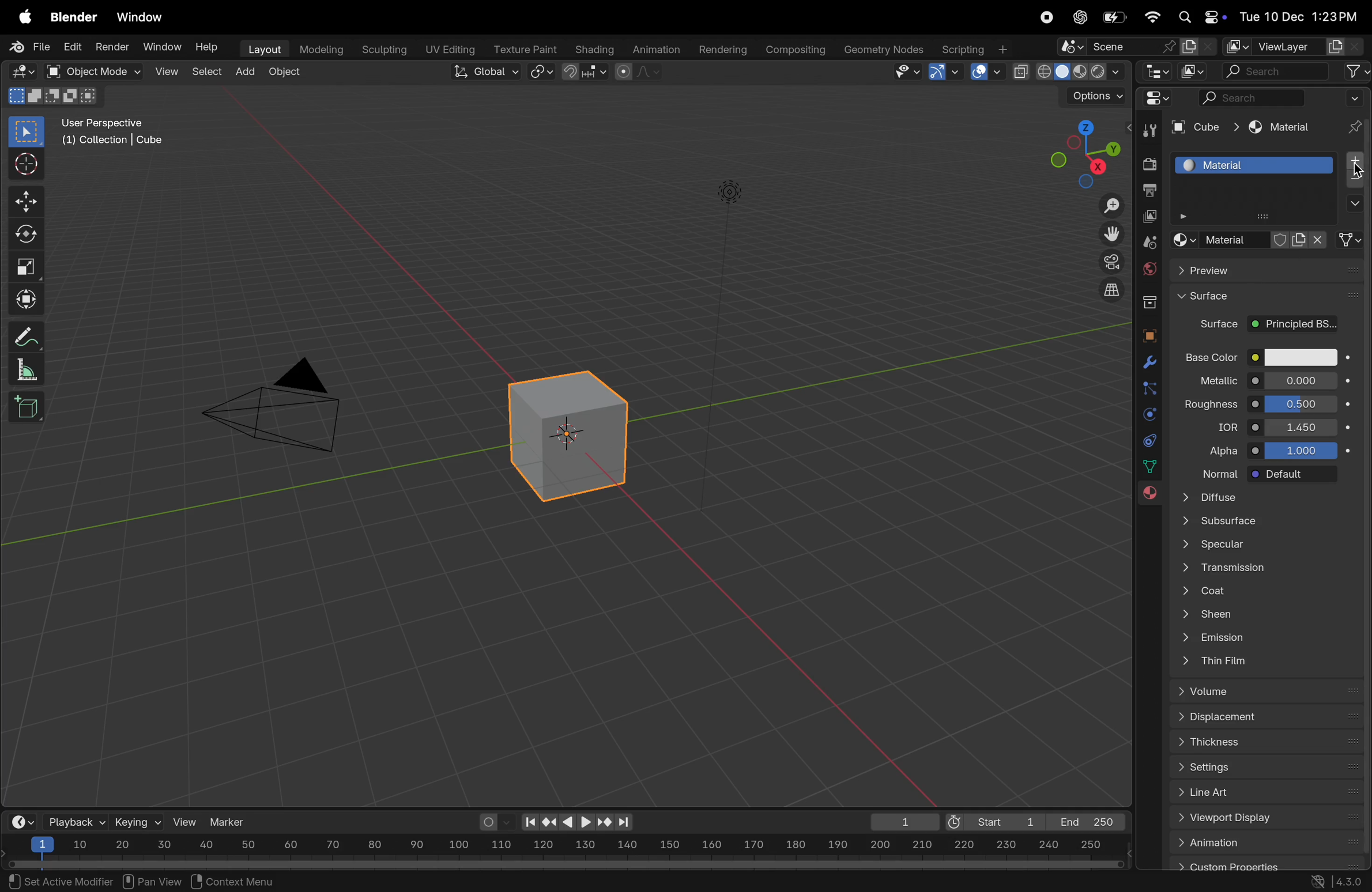  Describe the element at coordinates (1250, 97) in the screenshot. I see `Search` at that location.